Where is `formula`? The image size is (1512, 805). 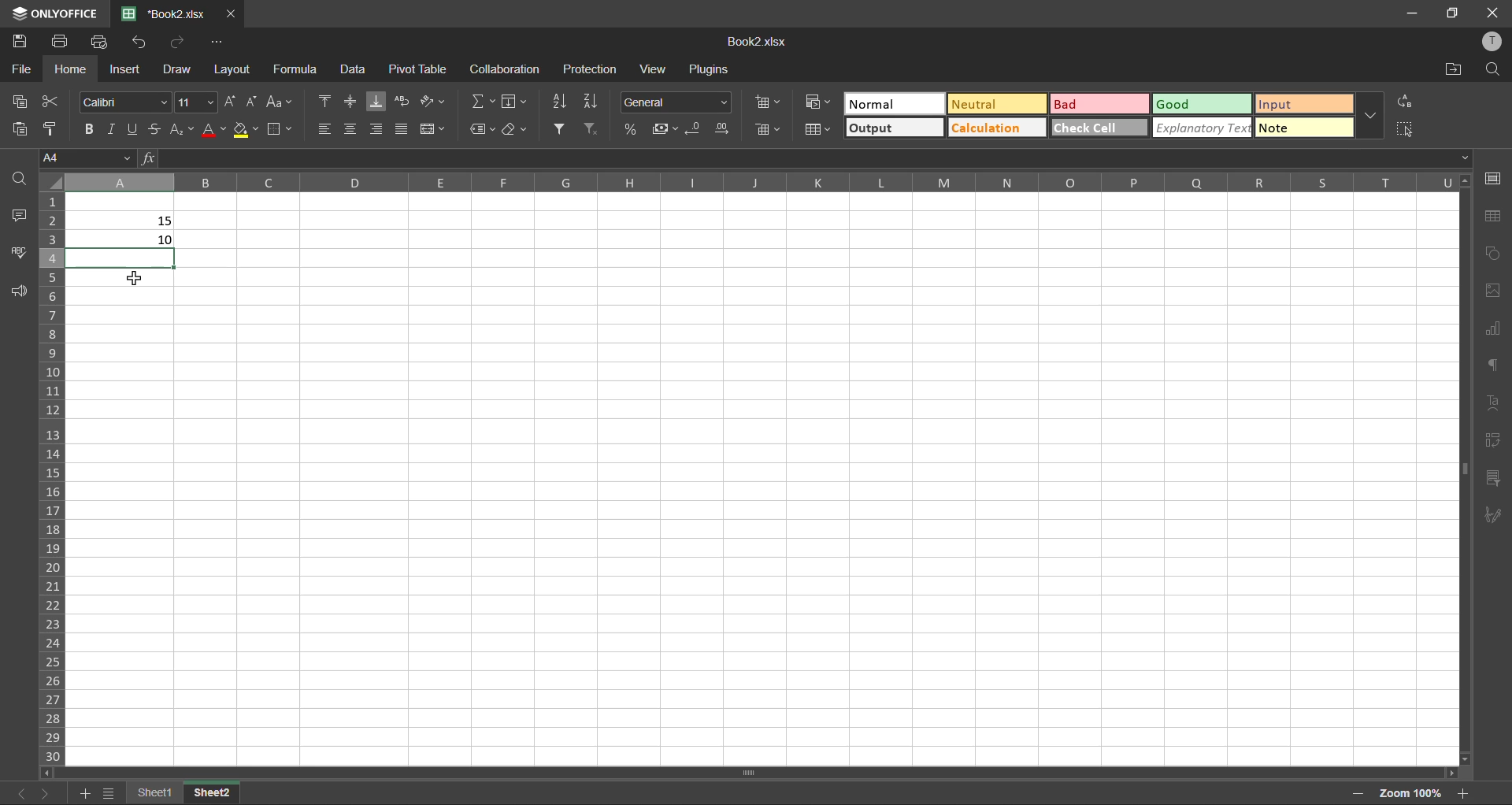 formula is located at coordinates (302, 69).